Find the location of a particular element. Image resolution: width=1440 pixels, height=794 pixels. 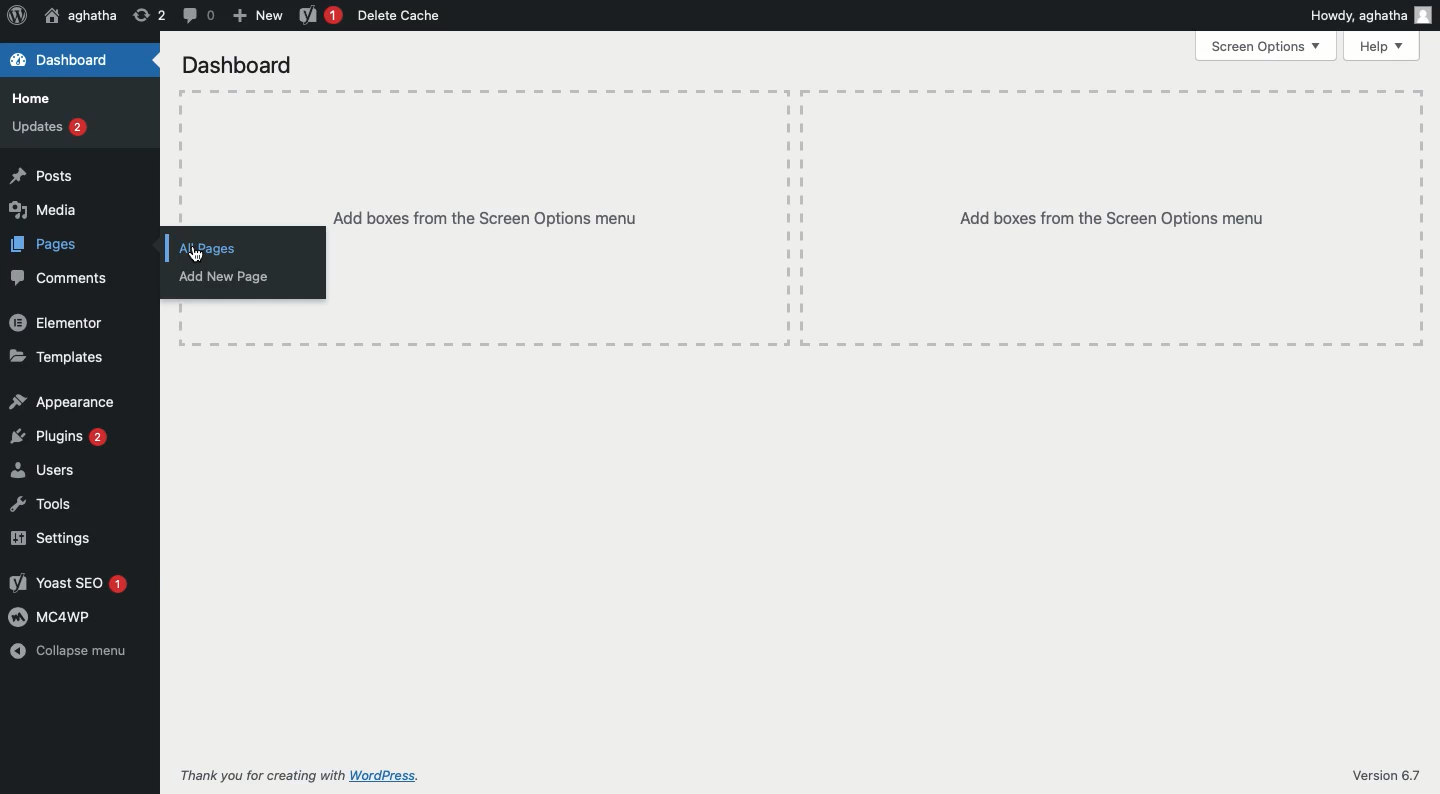

Thank you for creating with WordPress is located at coordinates (297, 776).